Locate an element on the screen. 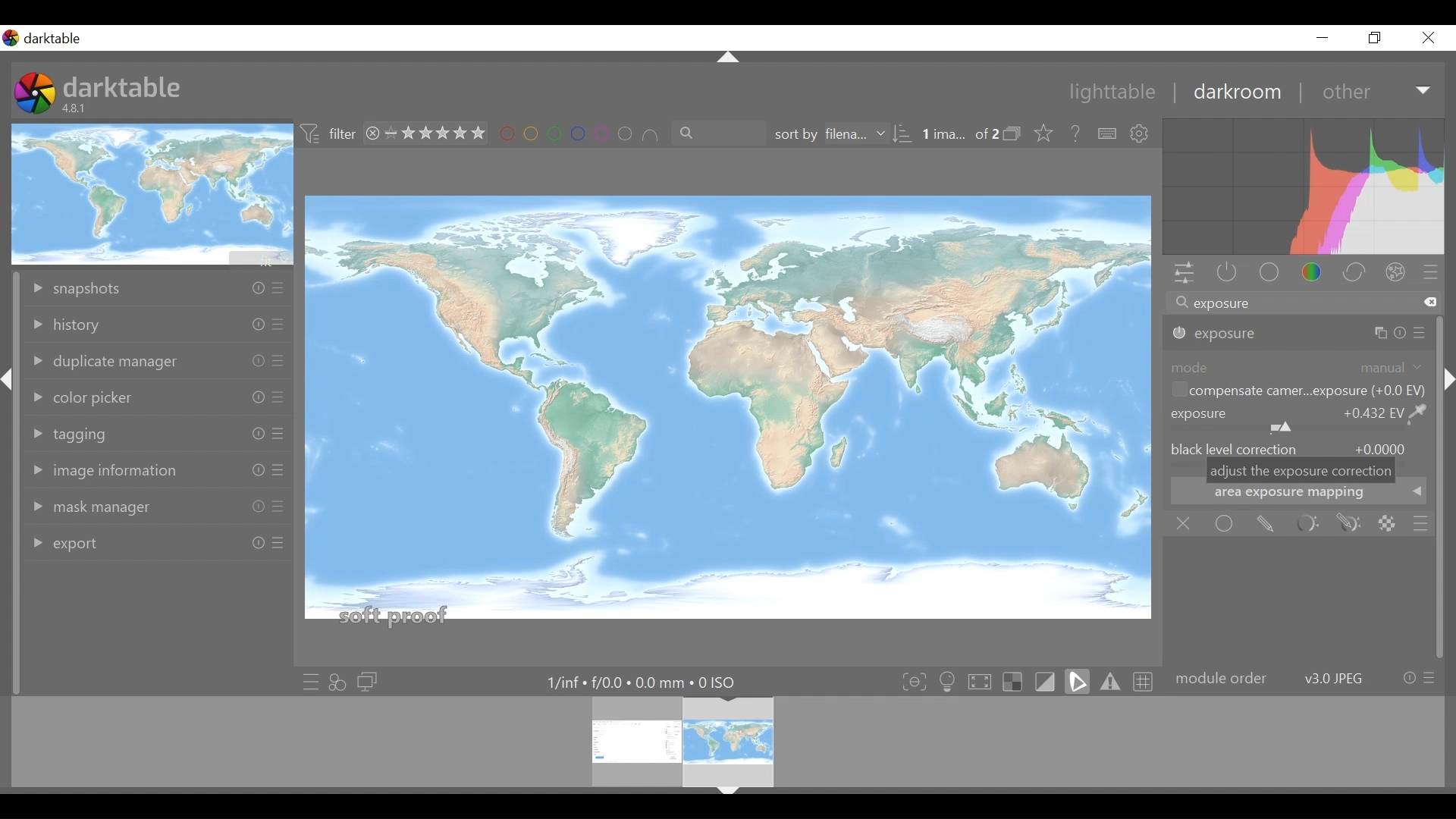 The height and width of the screenshot is (819, 1456). export is located at coordinates (95, 541).